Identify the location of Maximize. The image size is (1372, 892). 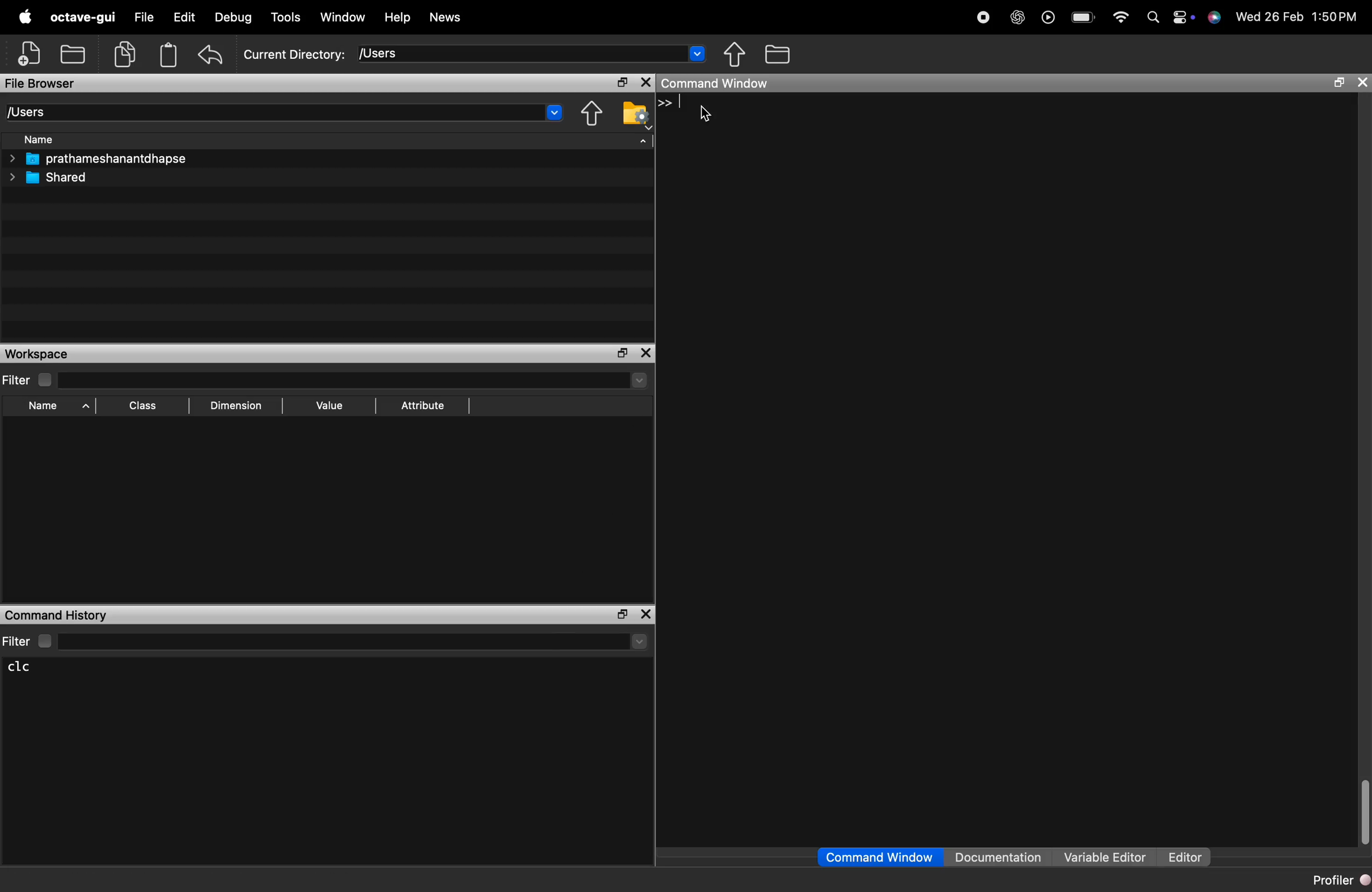
(1336, 84).